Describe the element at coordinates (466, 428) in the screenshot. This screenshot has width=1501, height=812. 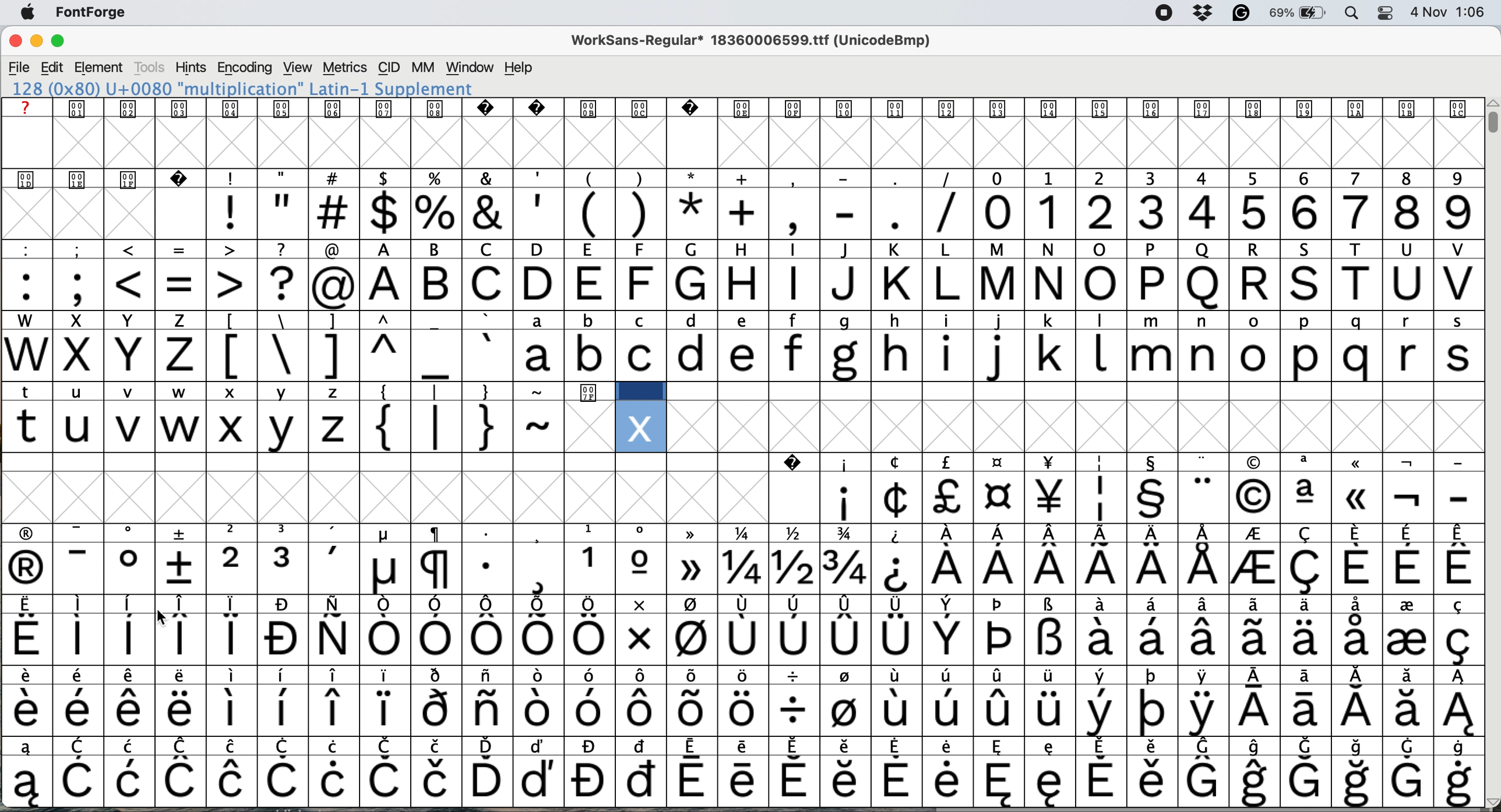
I see `special characters` at that location.